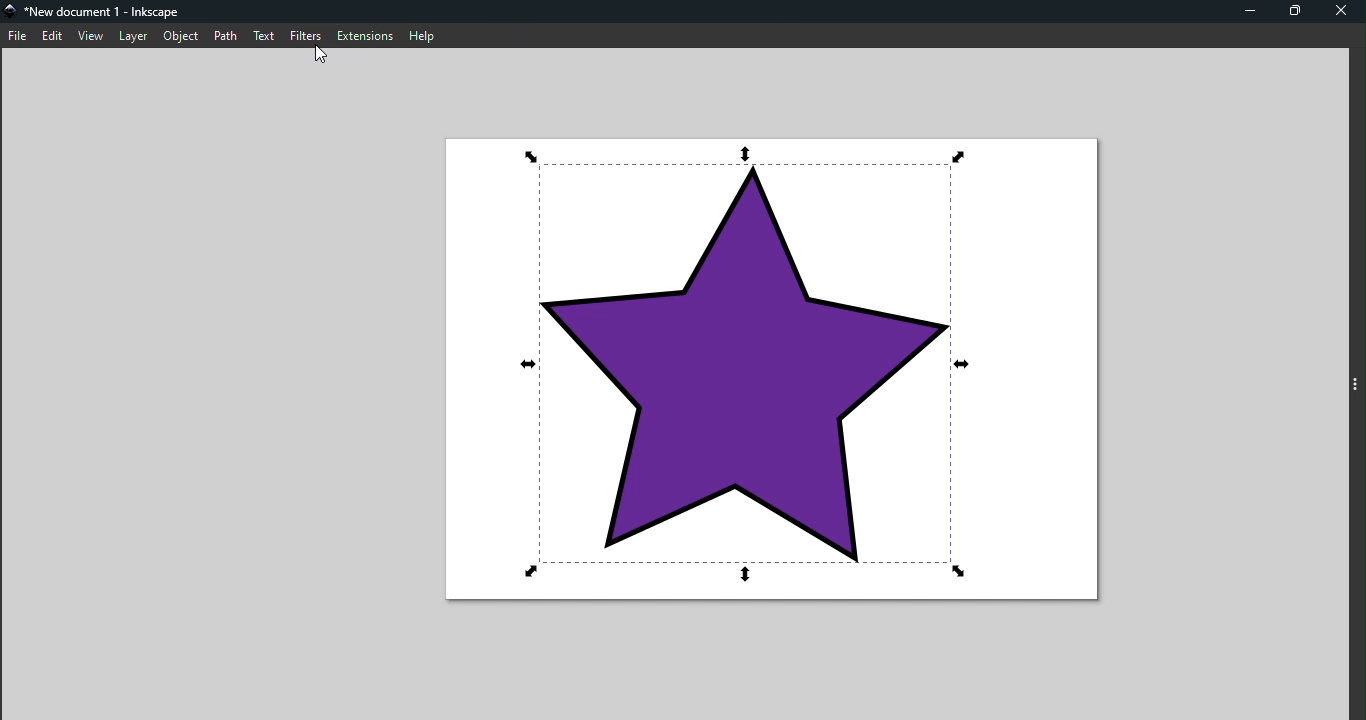 This screenshot has height=720, width=1366. What do you see at coordinates (303, 35) in the screenshot?
I see `Filters` at bounding box center [303, 35].